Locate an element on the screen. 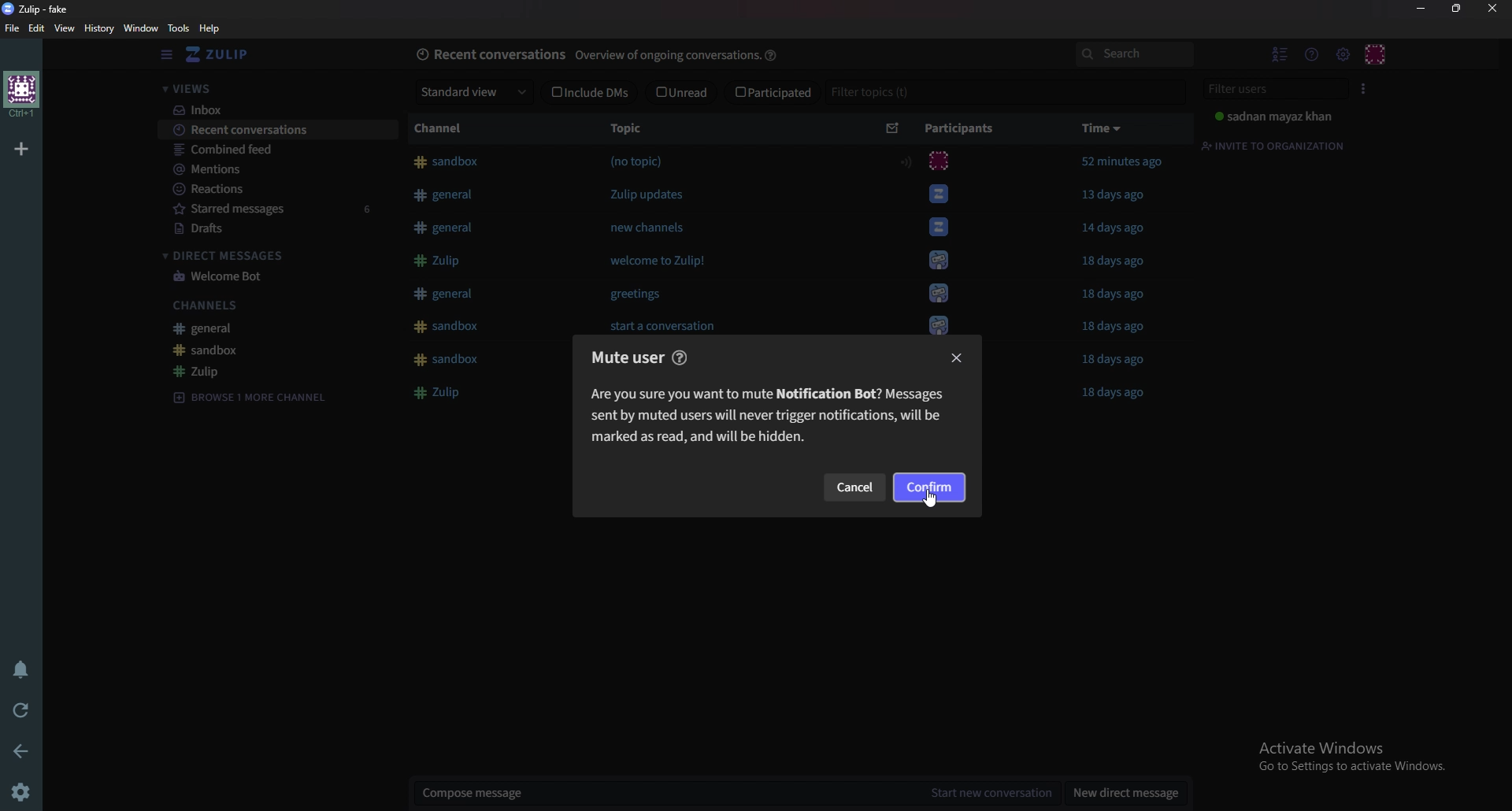 The width and height of the screenshot is (1512, 811). Help menu is located at coordinates (1311, 55).